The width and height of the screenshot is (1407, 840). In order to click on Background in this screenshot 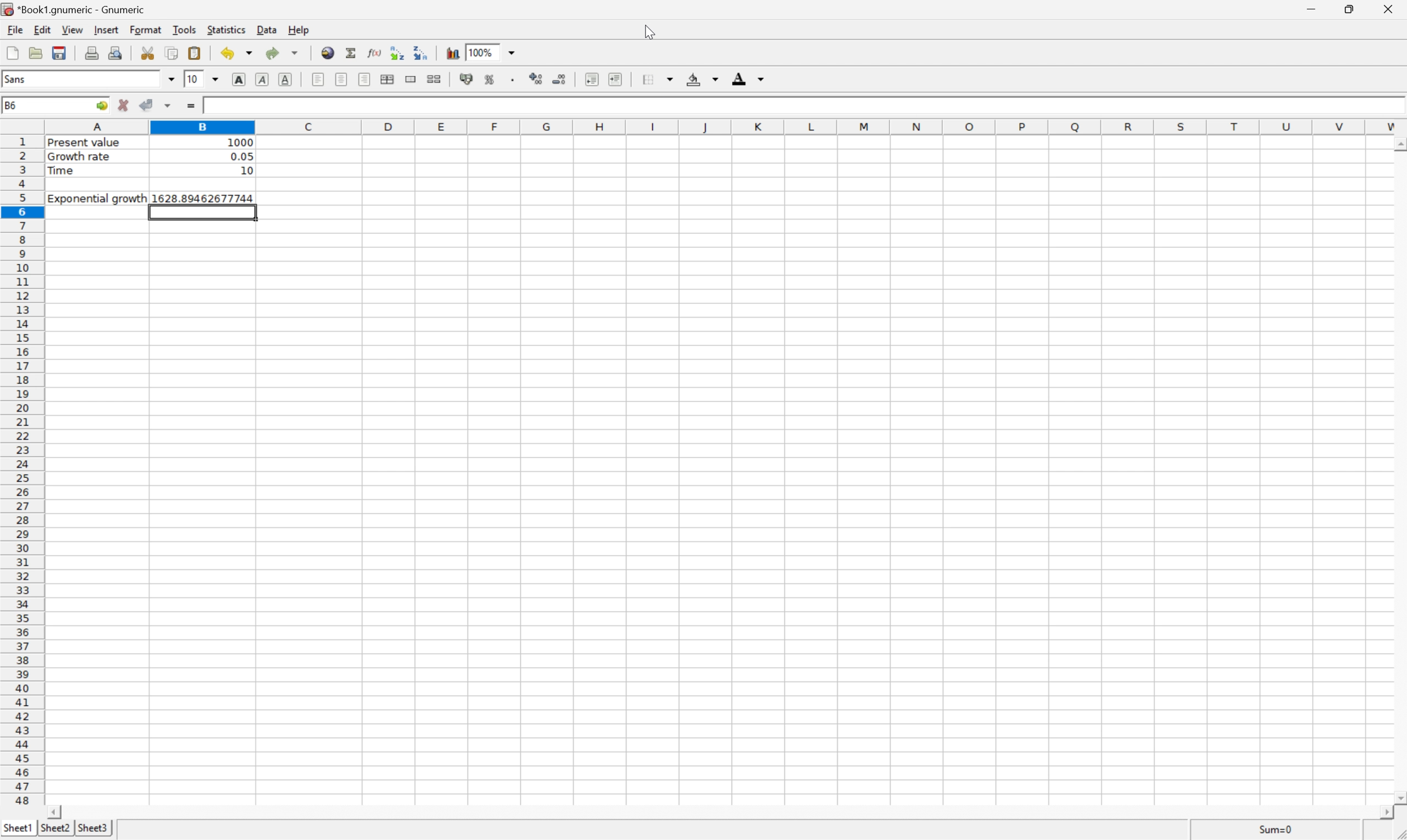, I will do `click(700, 79)`.